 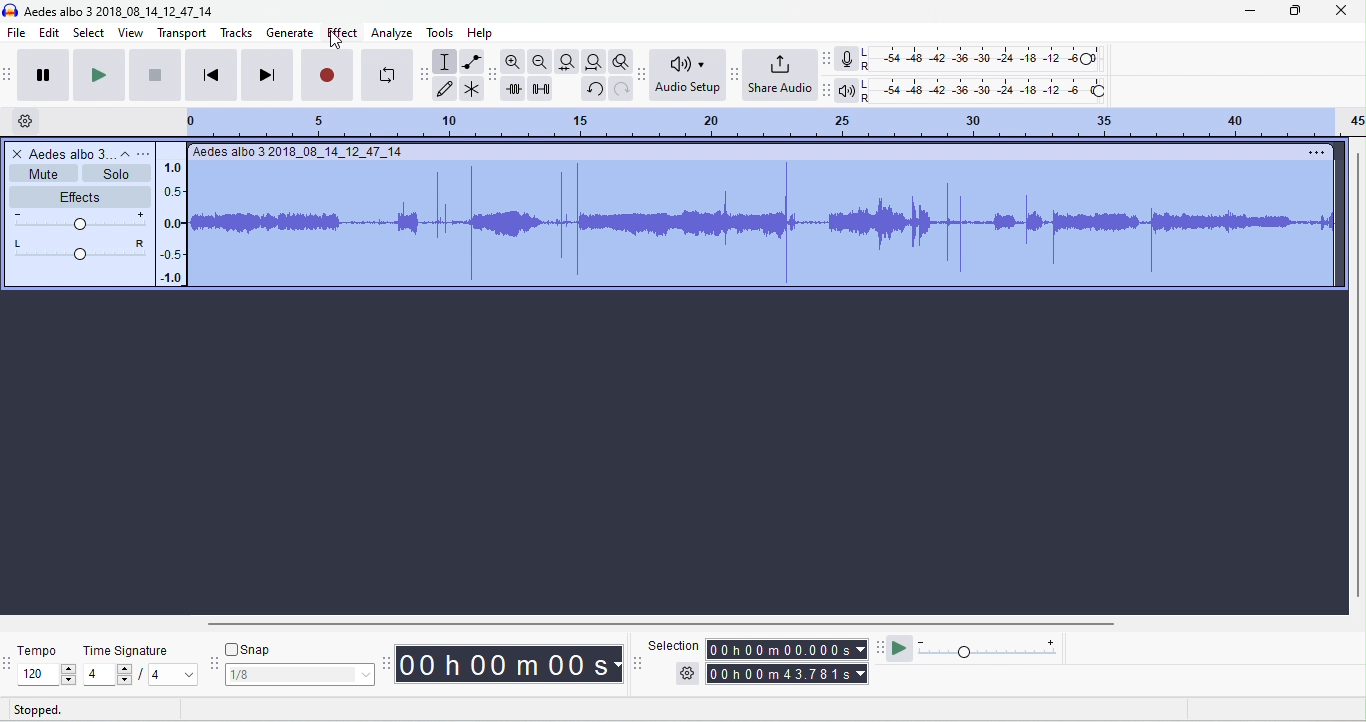 What do you see at coordinates (472, 62) in the screenshot?
I see `envelop tool` at bounding box center [472, 62].